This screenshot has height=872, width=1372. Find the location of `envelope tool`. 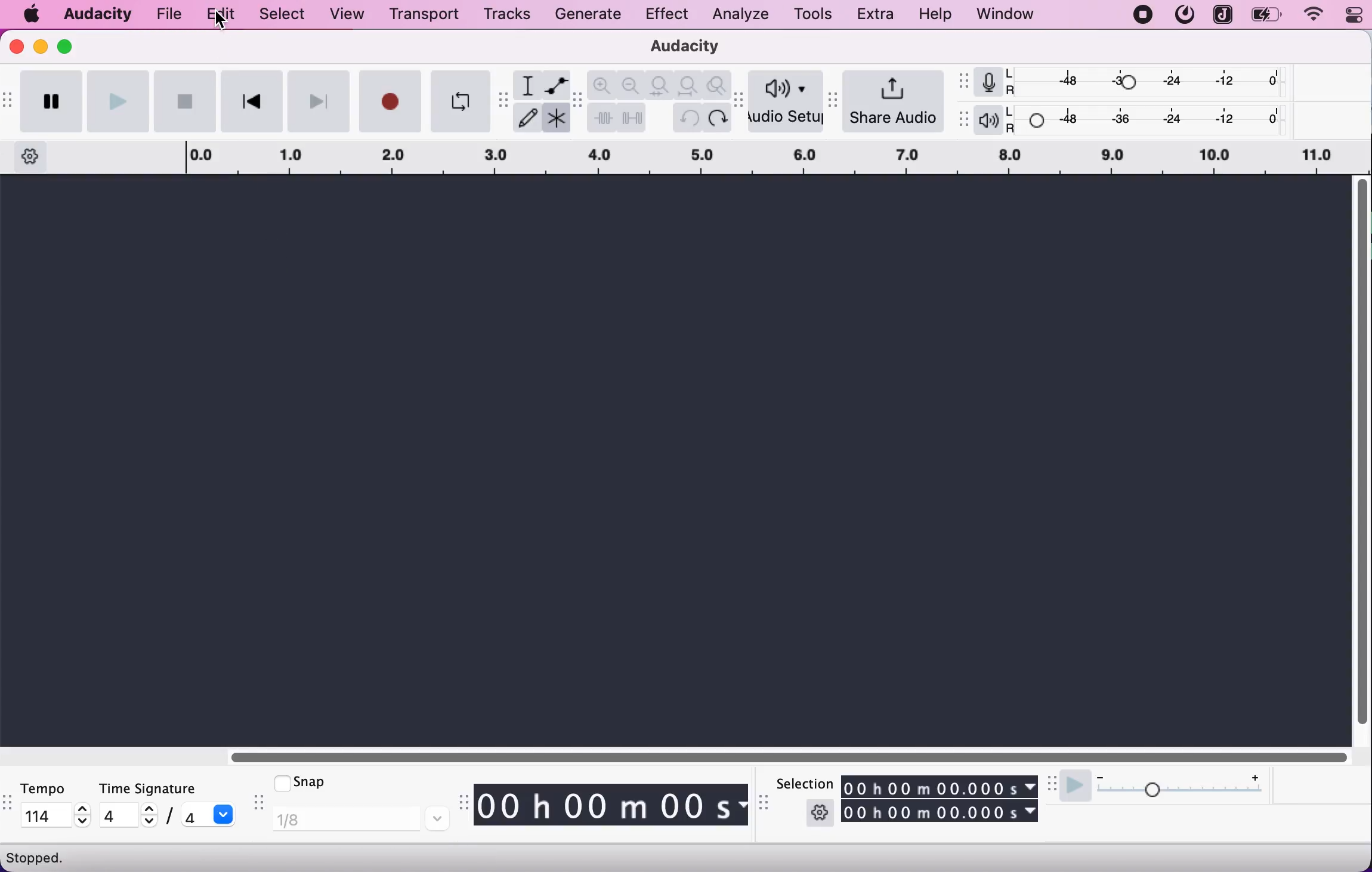

envelope tool is located at coordinates (555, 84).